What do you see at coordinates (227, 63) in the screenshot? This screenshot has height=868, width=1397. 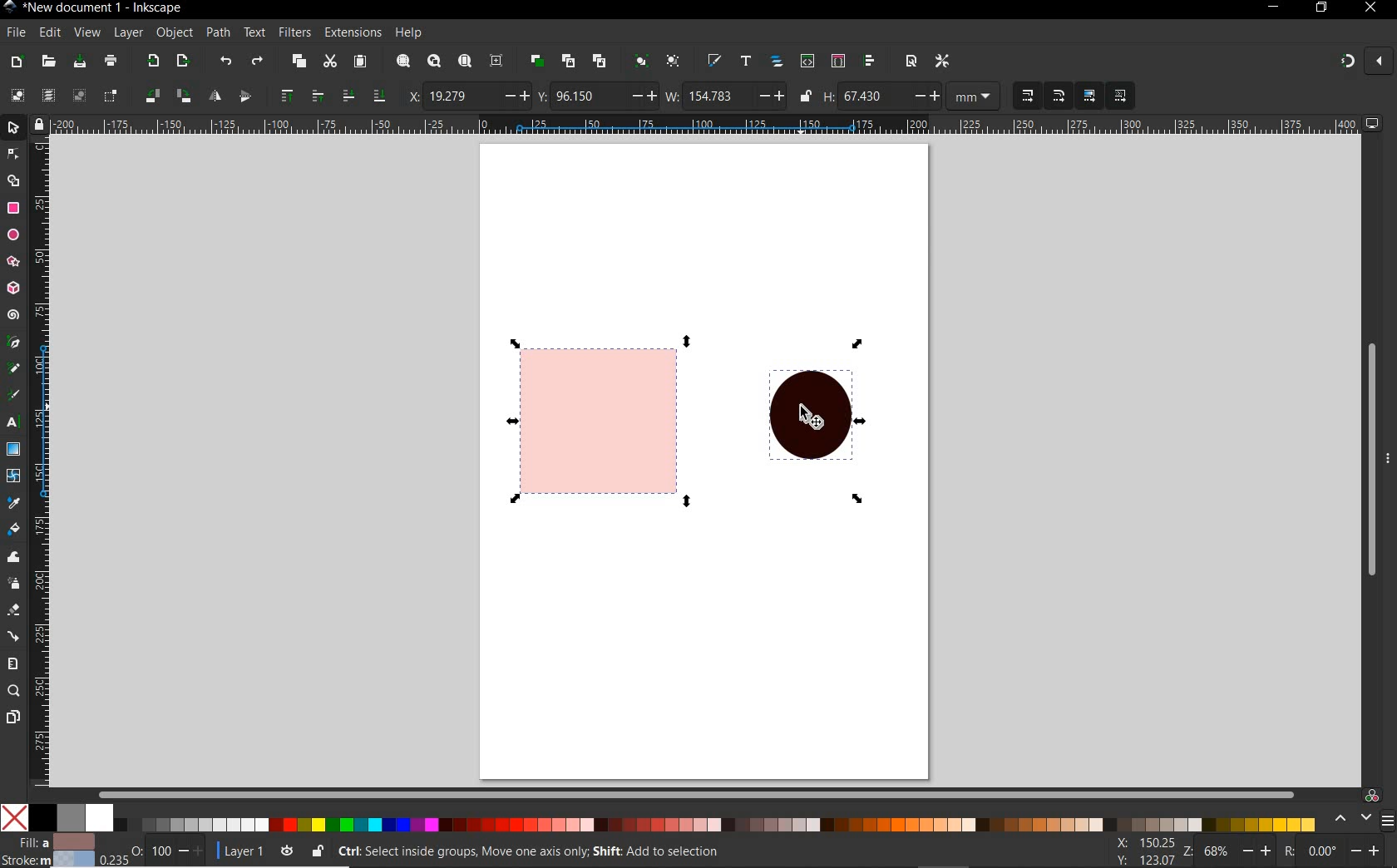 I see `undo` at bounding box center [227, 63].